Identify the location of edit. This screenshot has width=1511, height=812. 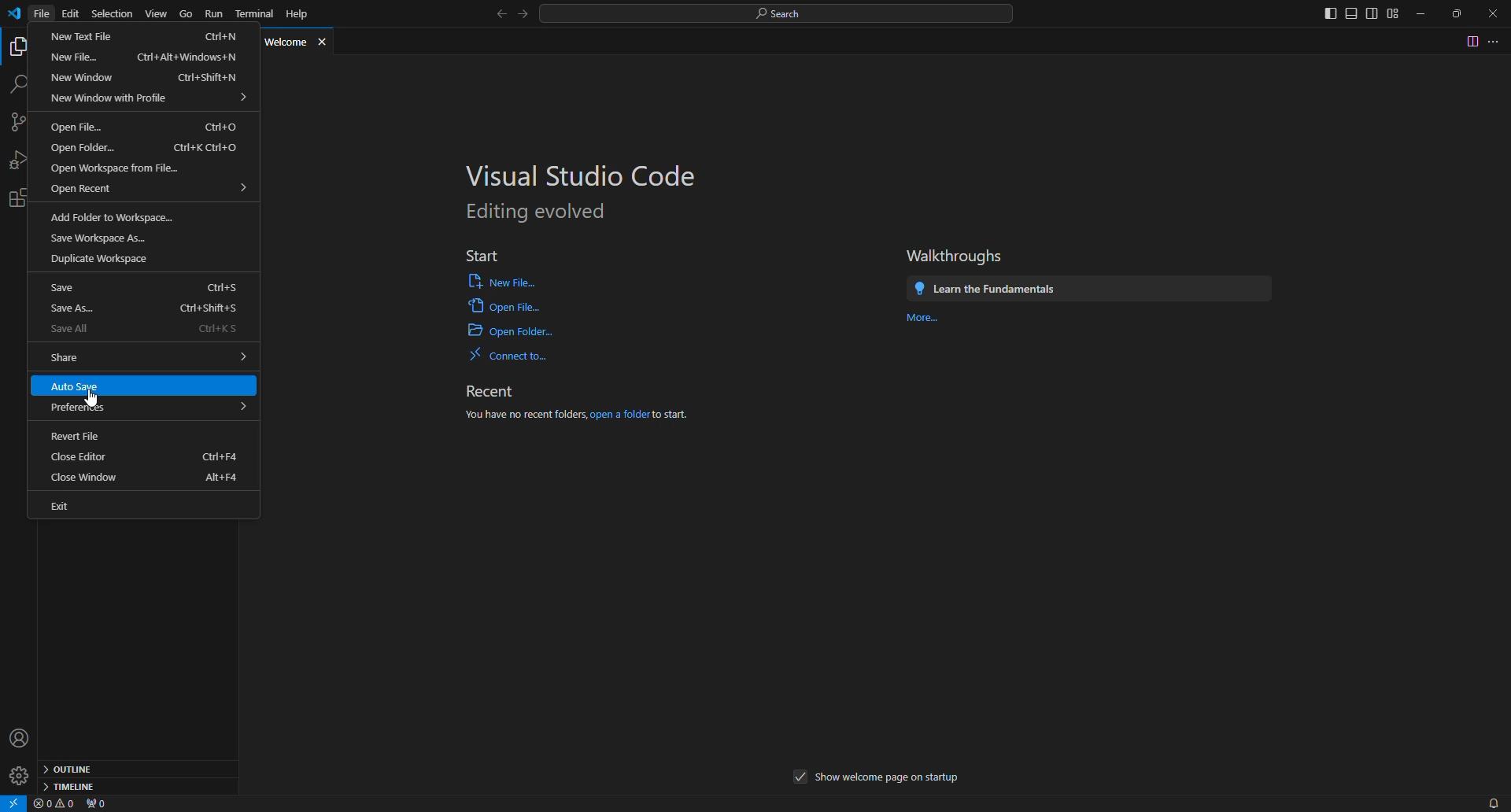
(72, 14).